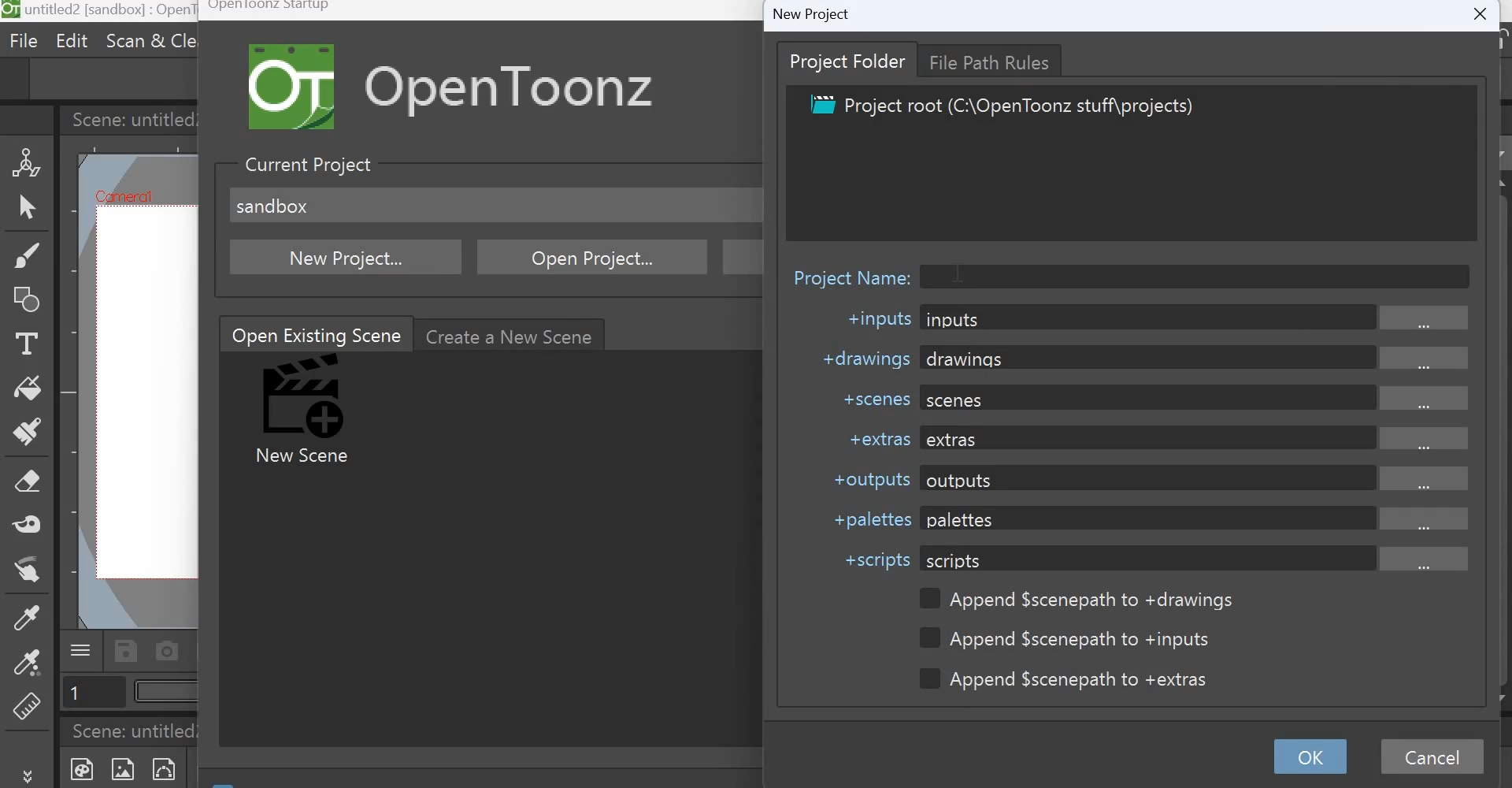 Image resolution: width=1512 pixels, height=788 pixels. I want to click on More tools, so click(30, 775).